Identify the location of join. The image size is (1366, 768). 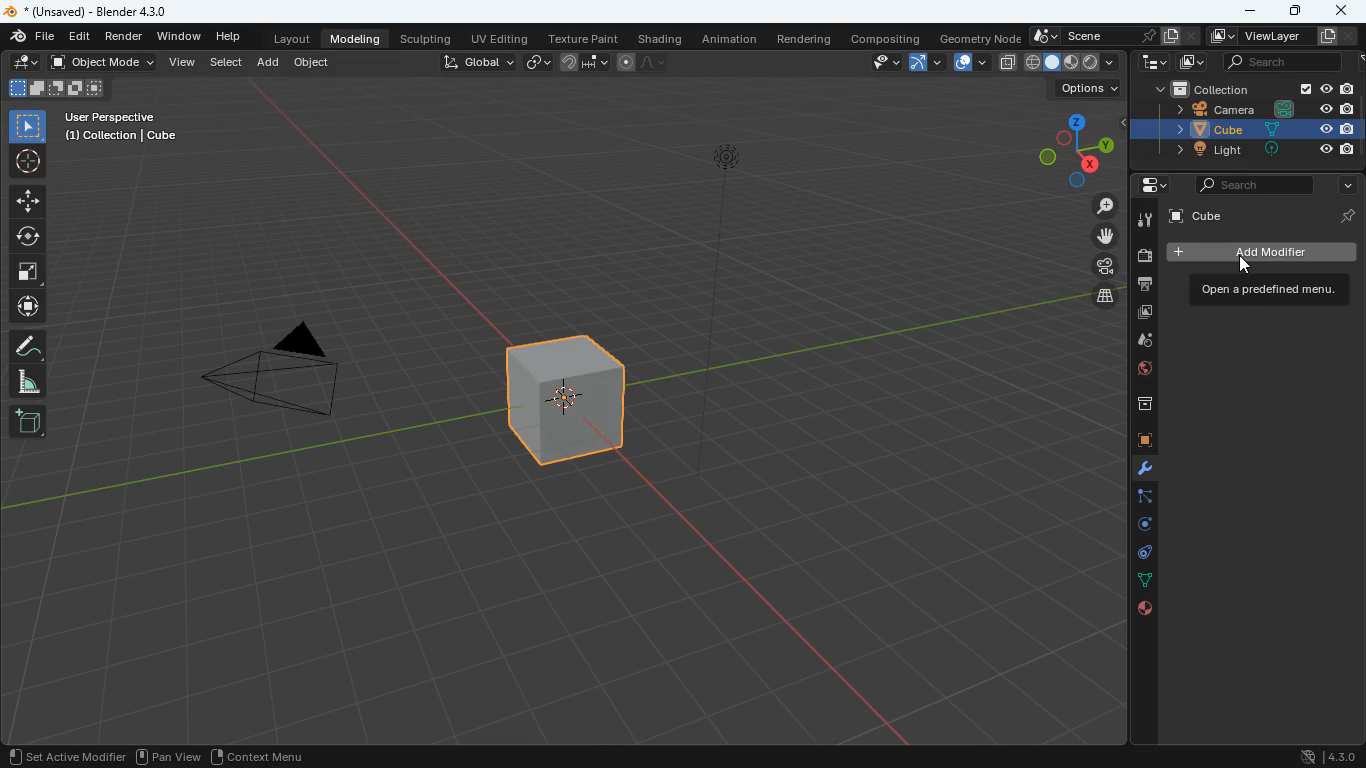
(585, 61).